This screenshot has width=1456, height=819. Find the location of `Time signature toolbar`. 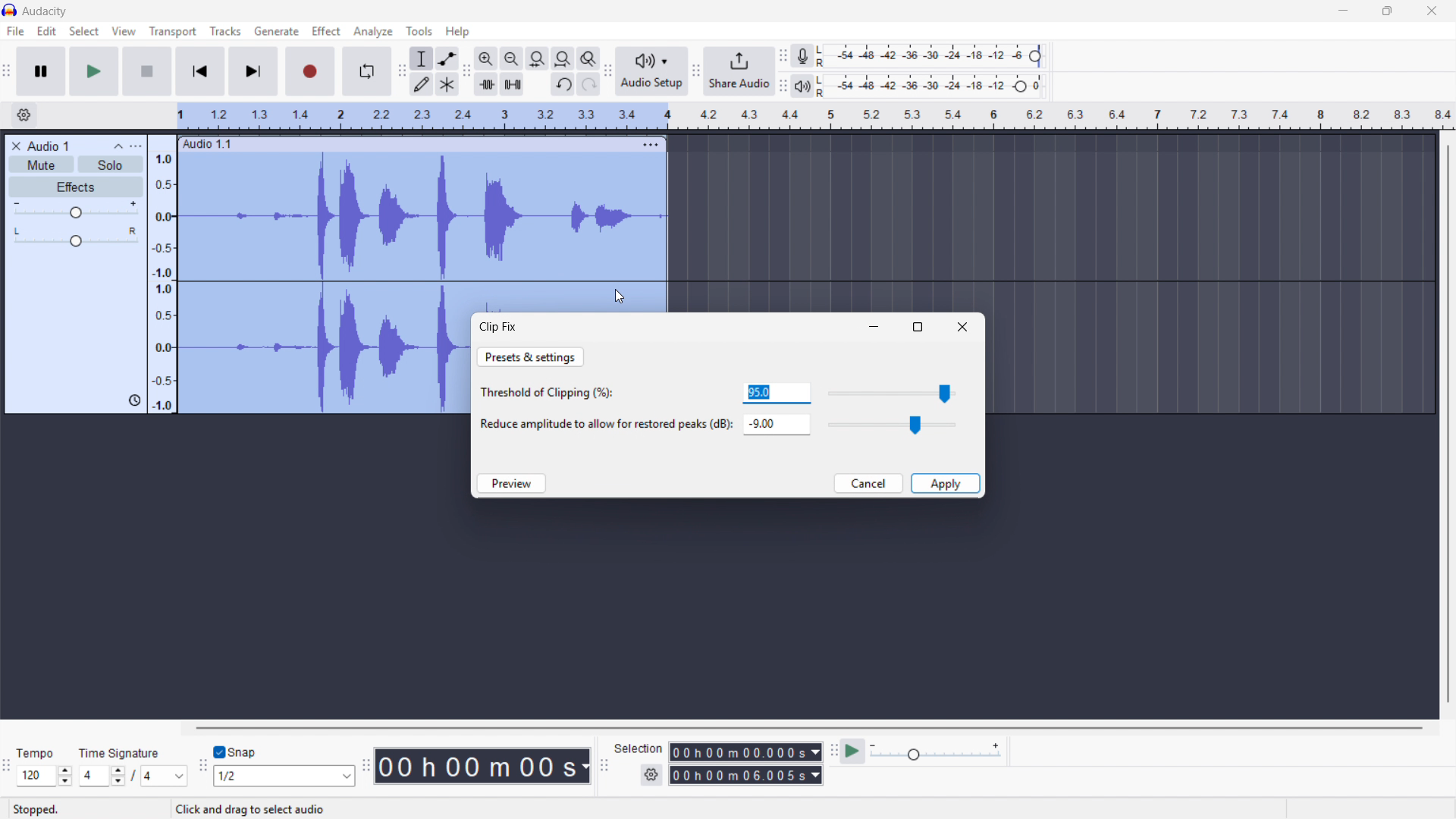

Time signature toolbar is located at coordinates (8, 768).